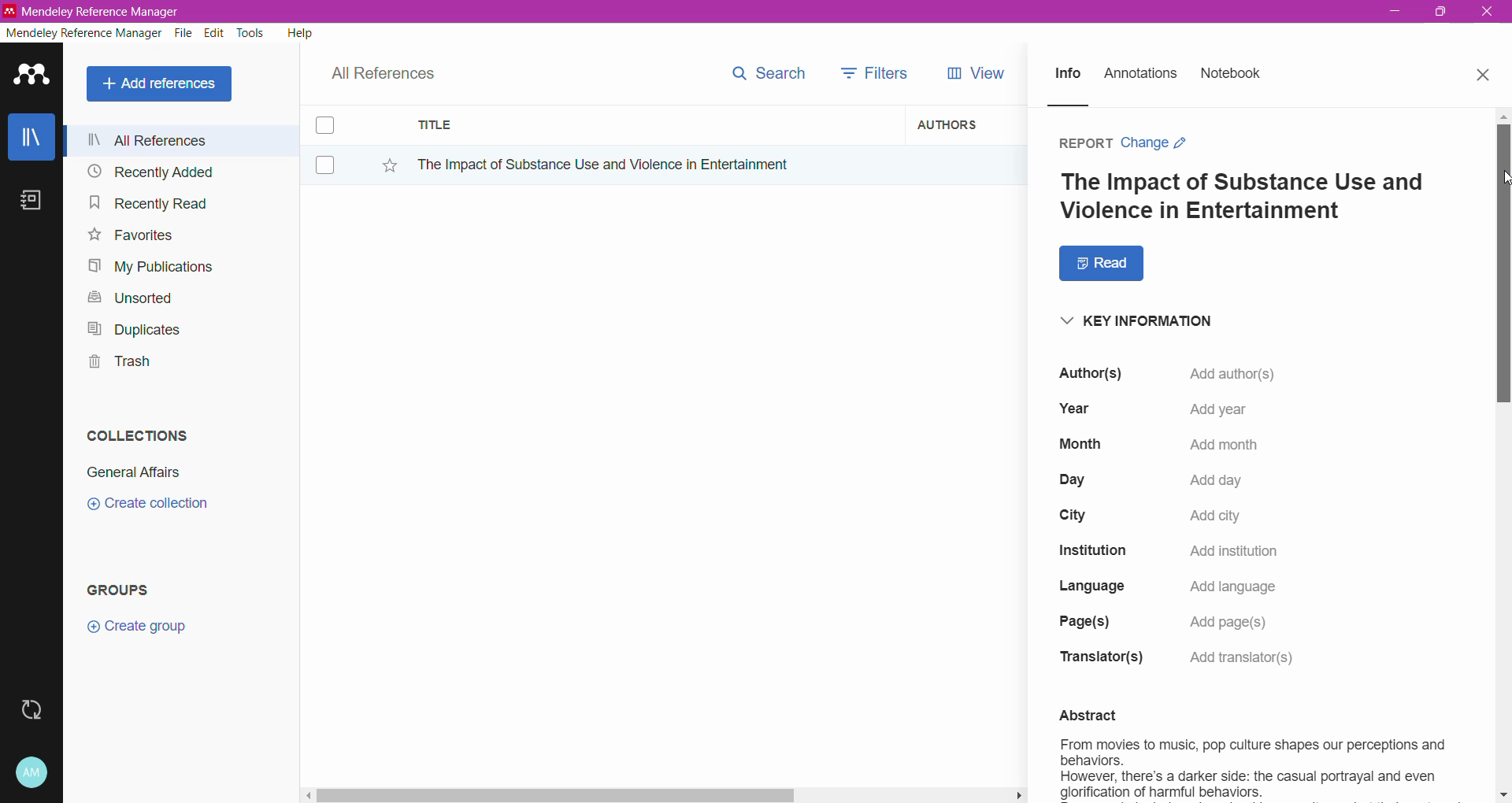 Image resolution: width=1512 pixels, height=803 pixels. Describe the element at coordinates (129, 235) in the screenshot. I see `Favorites` at that location.